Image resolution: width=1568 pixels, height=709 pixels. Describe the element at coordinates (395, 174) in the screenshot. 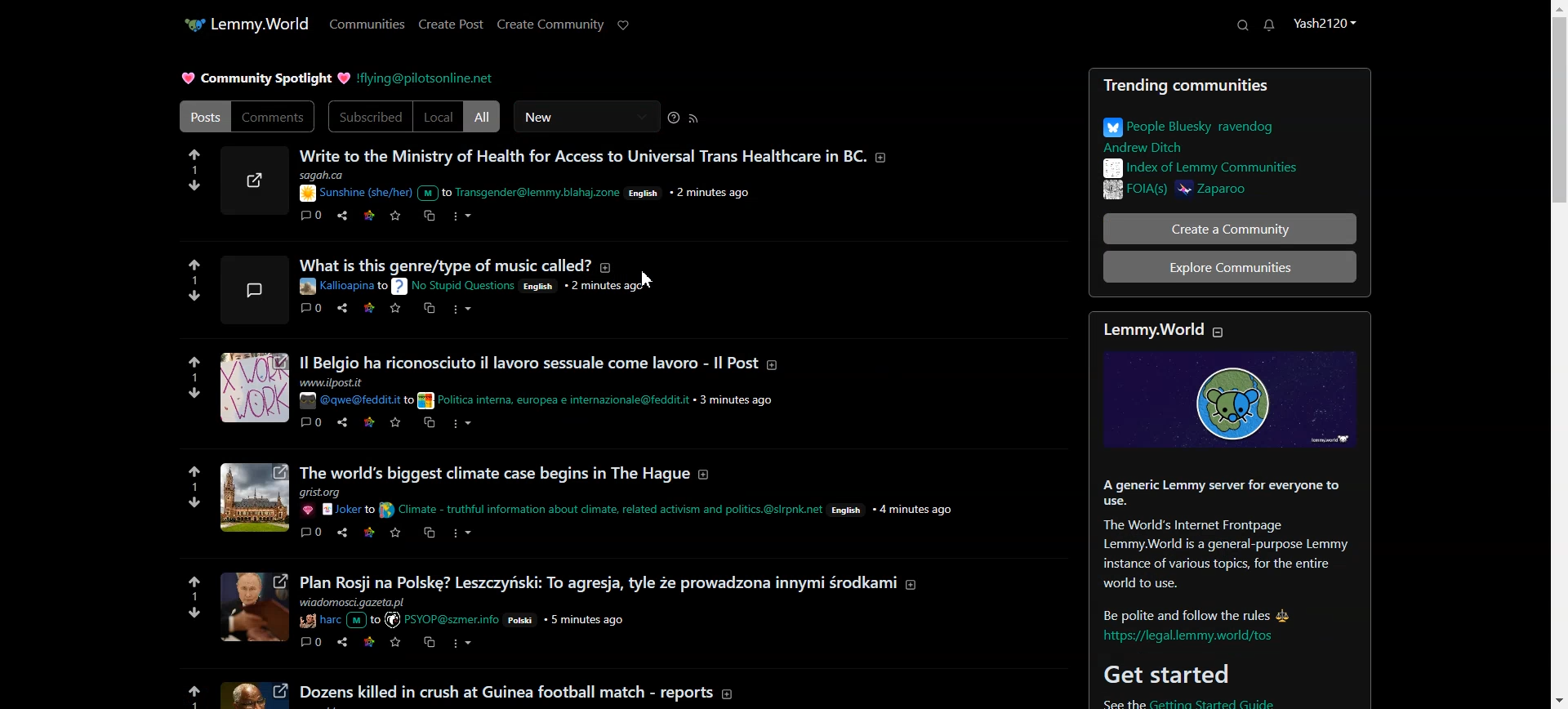

I see `text` at that location.